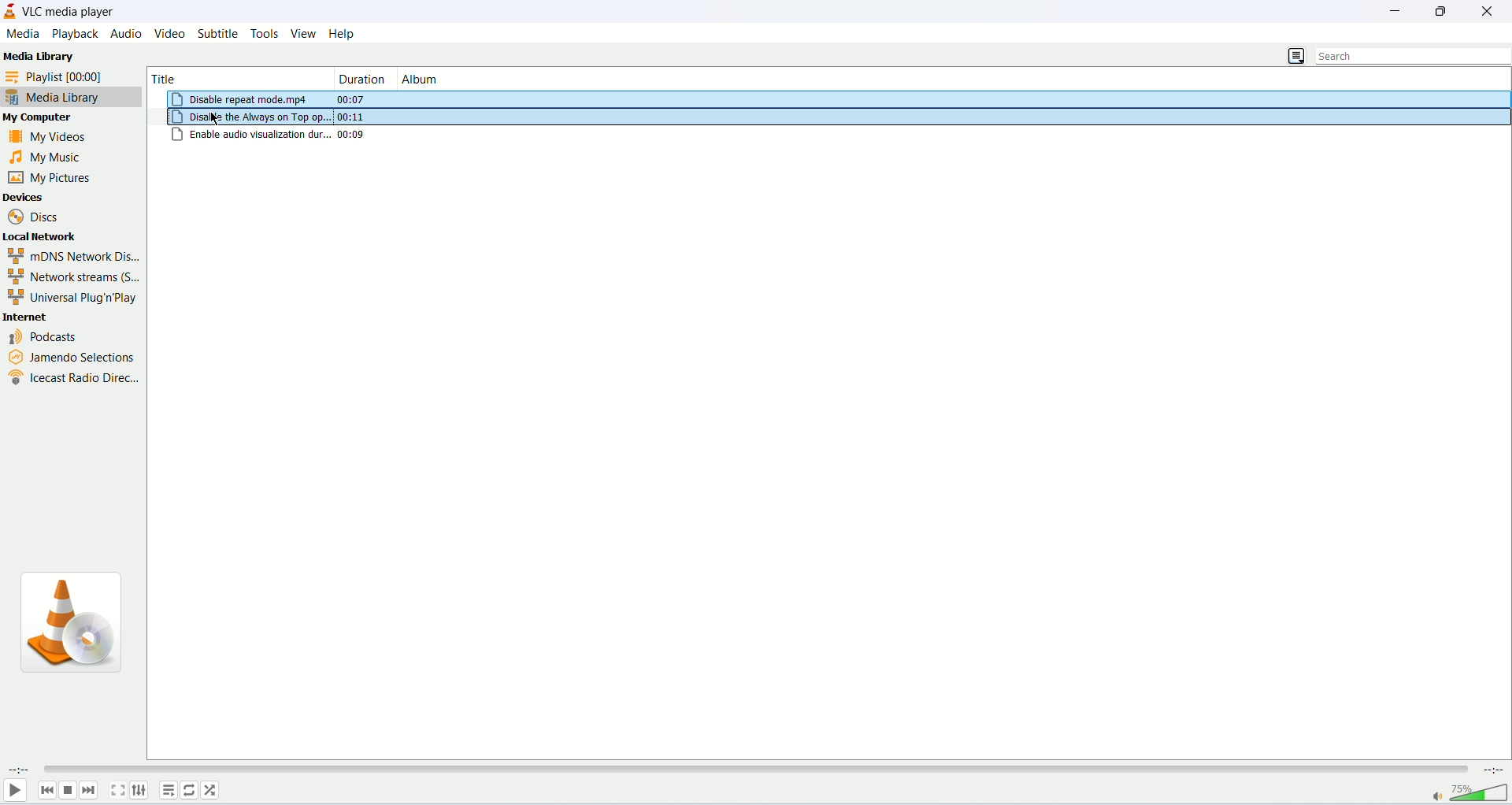 Image resolution: width=1512 pixels, height=805 pixels. What do you see at coordinates (89, 790) in the screenshot?
I see `next` at bounding box center [89, 790].